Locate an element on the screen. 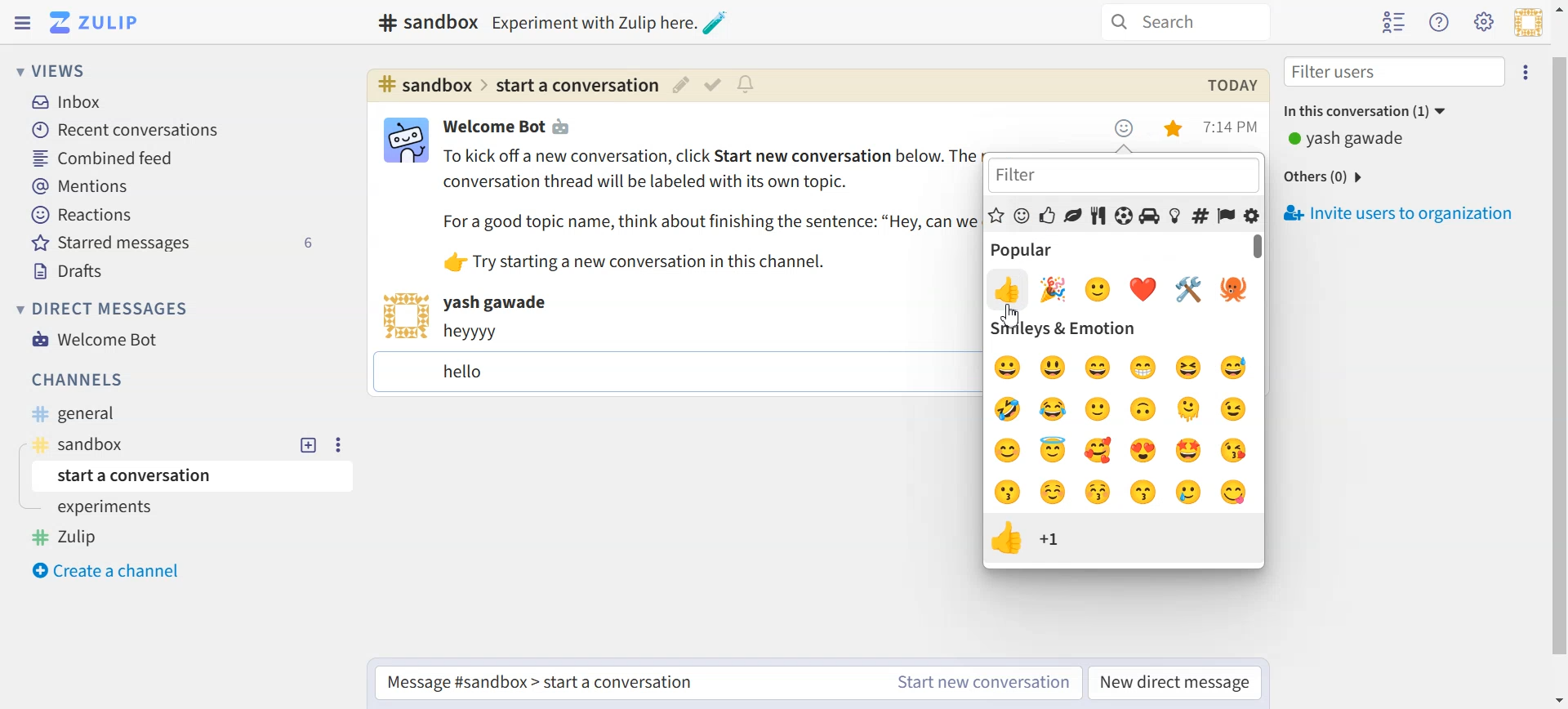 This screenshot has width=1568, height=709. Invite users to organization is located at coordinates (1402, 214).